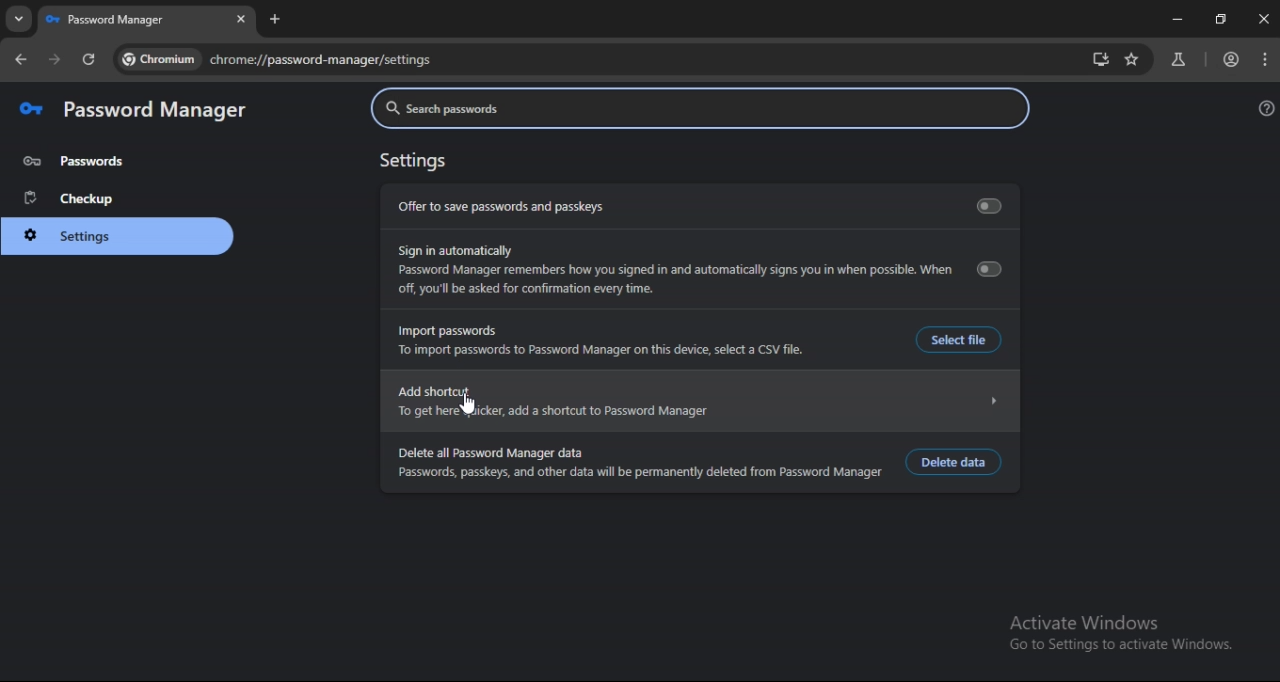  What do you see at coordinates (639, 464) in the screenshot?
I see `Delete all Password Manager data
Passwords, passkeys, and other data will be permanently deleted from Password Manager` at bounding box center [639, 464].